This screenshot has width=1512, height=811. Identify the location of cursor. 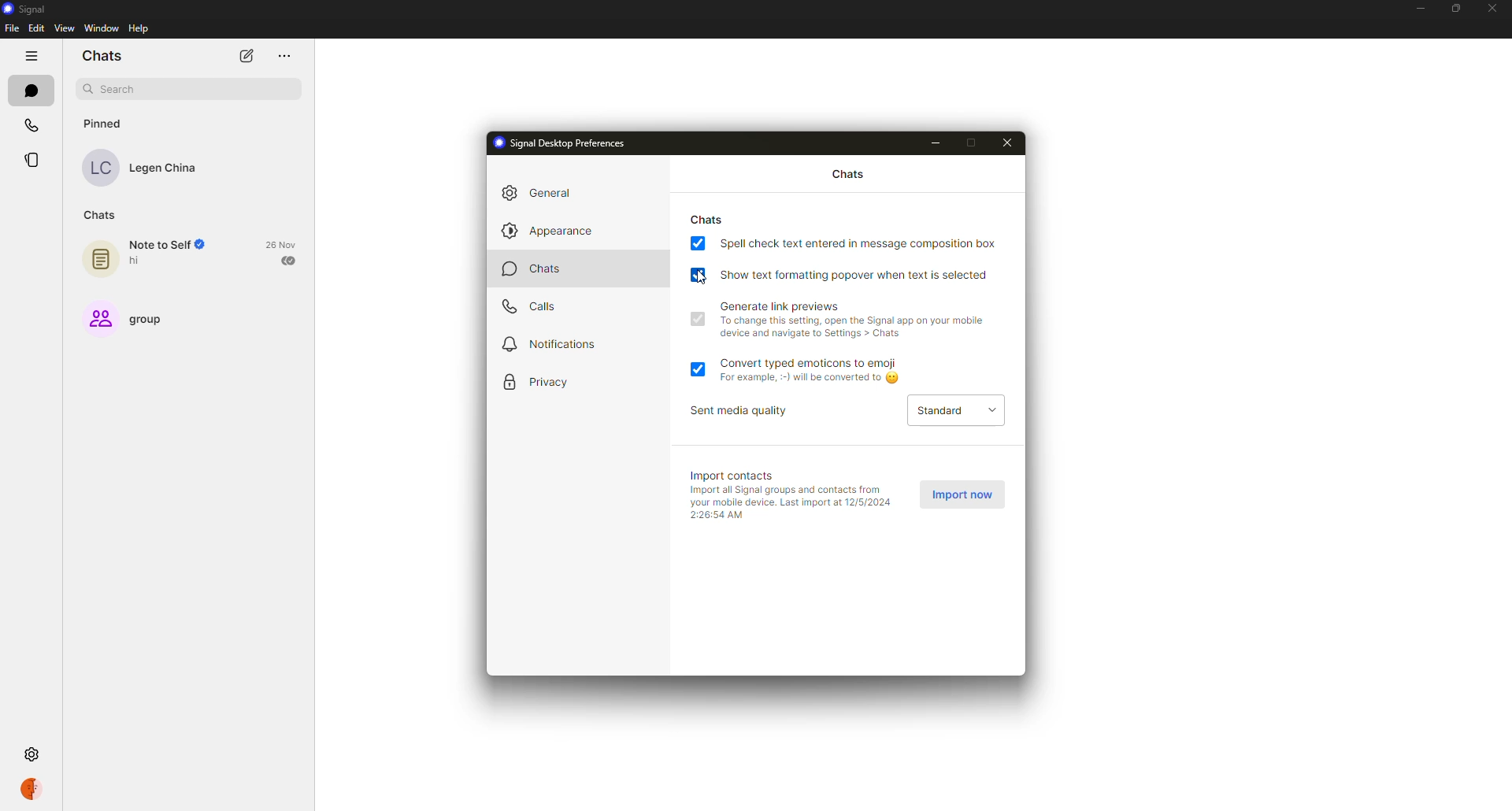
(702, 278).